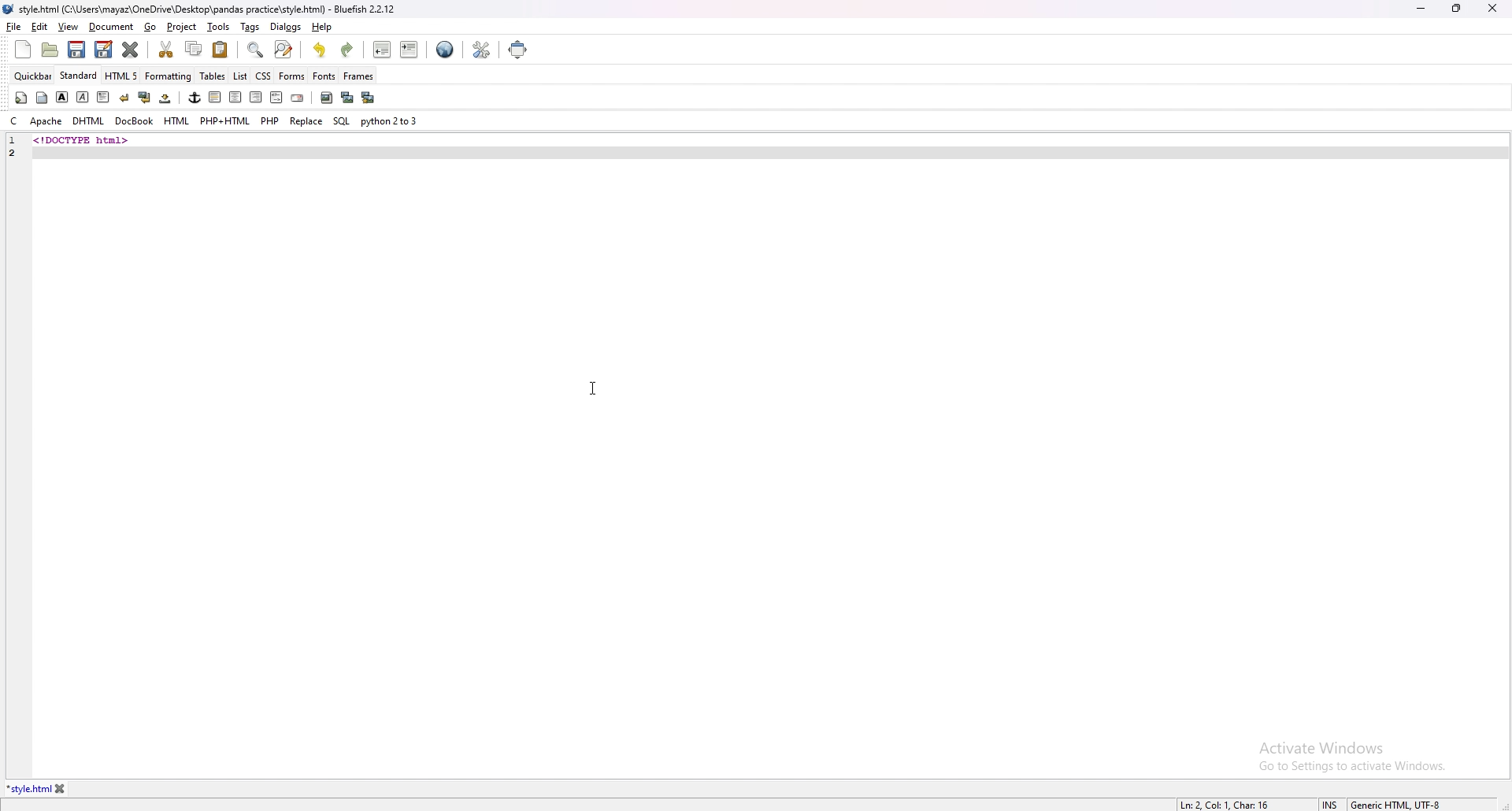 The width and height of the screenshot is (1512, 811). Describe the element at coordinates (20, 98) in the screenshot. I see `quickstart` at that location.